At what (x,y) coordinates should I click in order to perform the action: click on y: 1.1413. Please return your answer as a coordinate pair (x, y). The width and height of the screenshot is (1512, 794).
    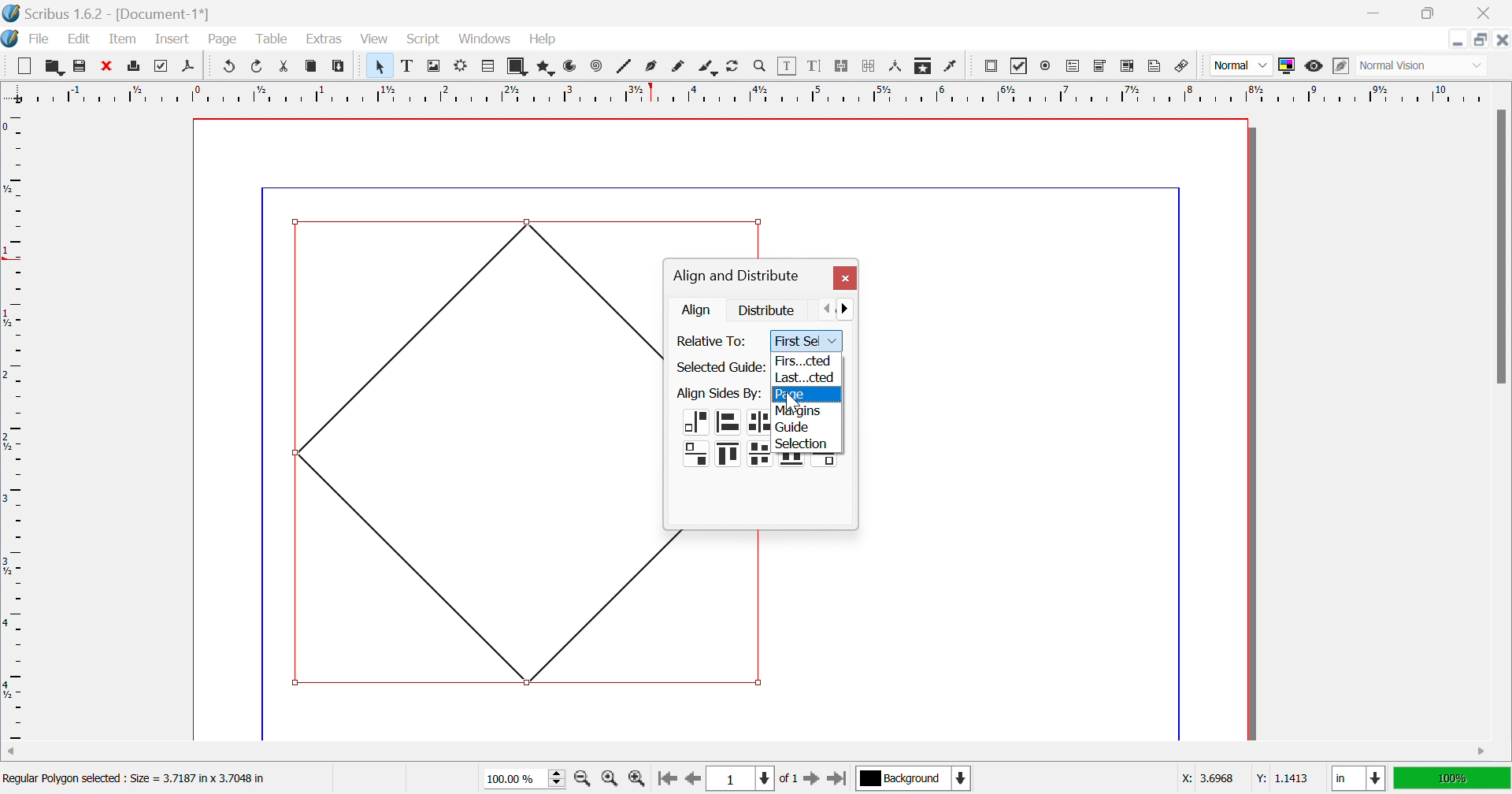
    Looking at the image, I should click on (1280, 778).